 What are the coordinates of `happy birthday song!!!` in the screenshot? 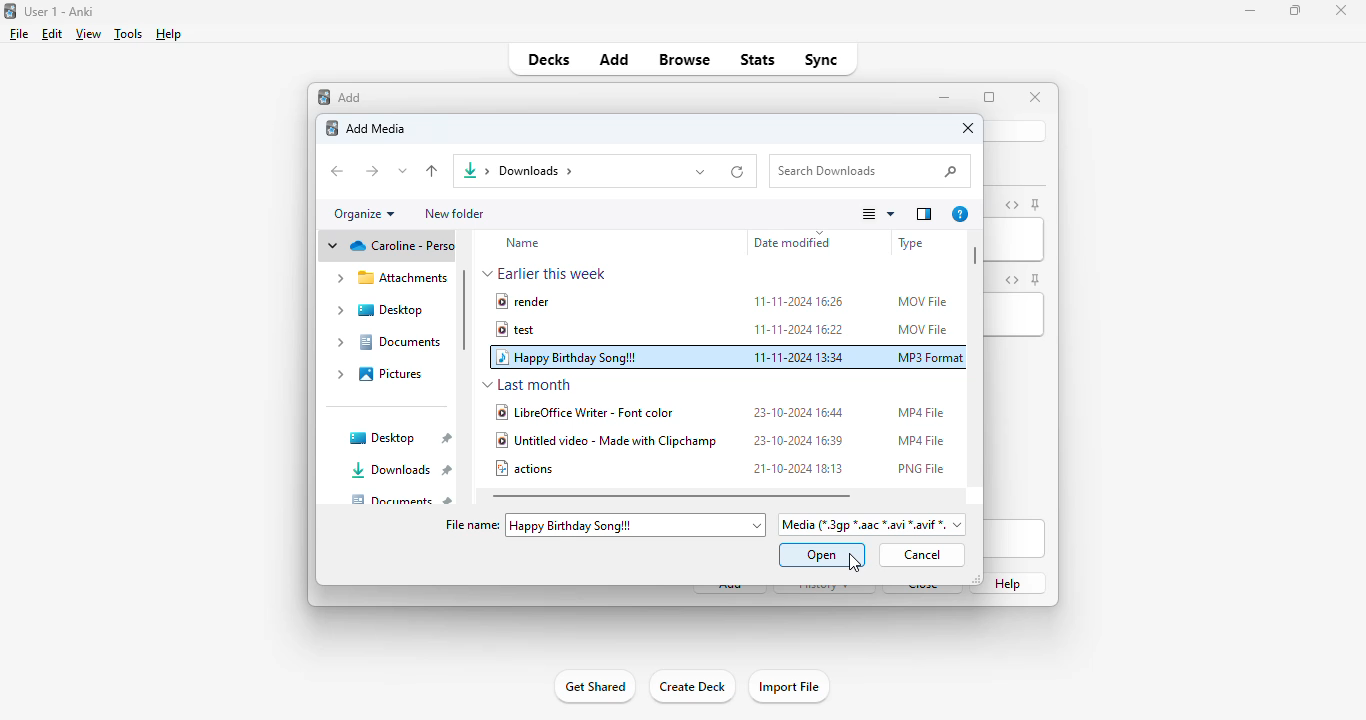 It's located at (569, 356).